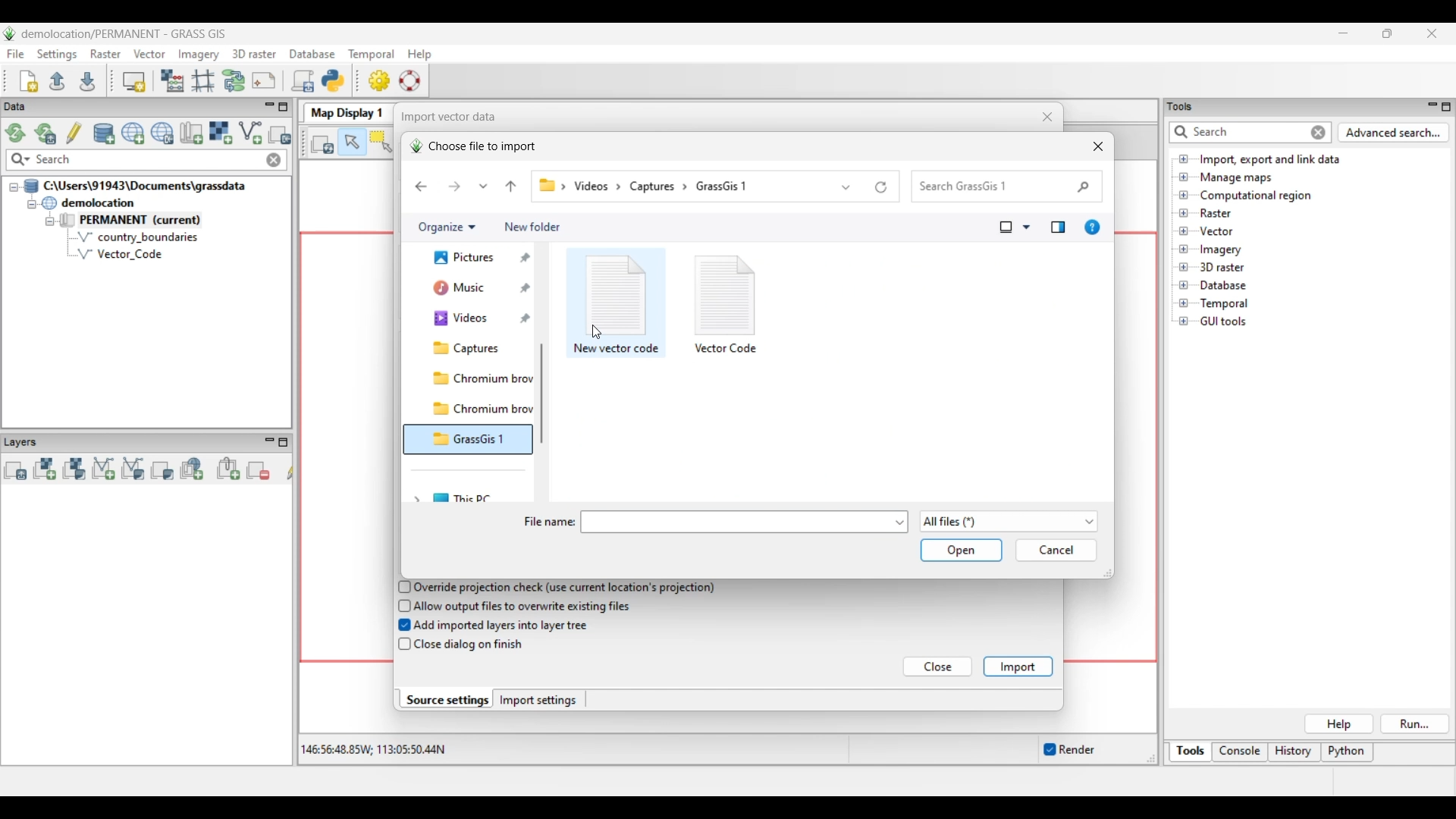 This screenshot has width=1456, height=819. I want to click on Change view options, so click(1026, 227).